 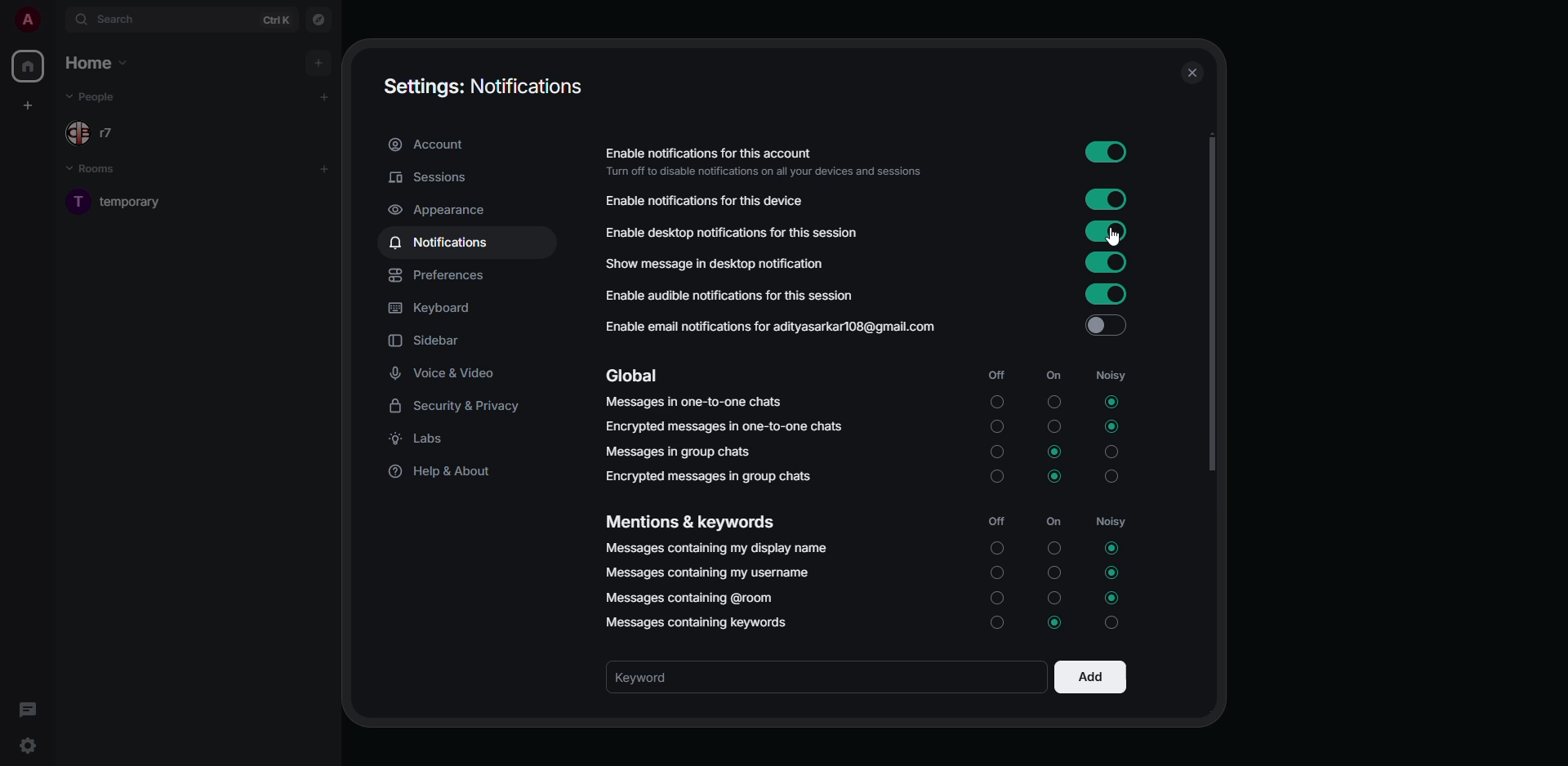 What do you see at coordinates (718, 550) in the screenshot?
I see `messages containing name` at bounding box center [718, 550].